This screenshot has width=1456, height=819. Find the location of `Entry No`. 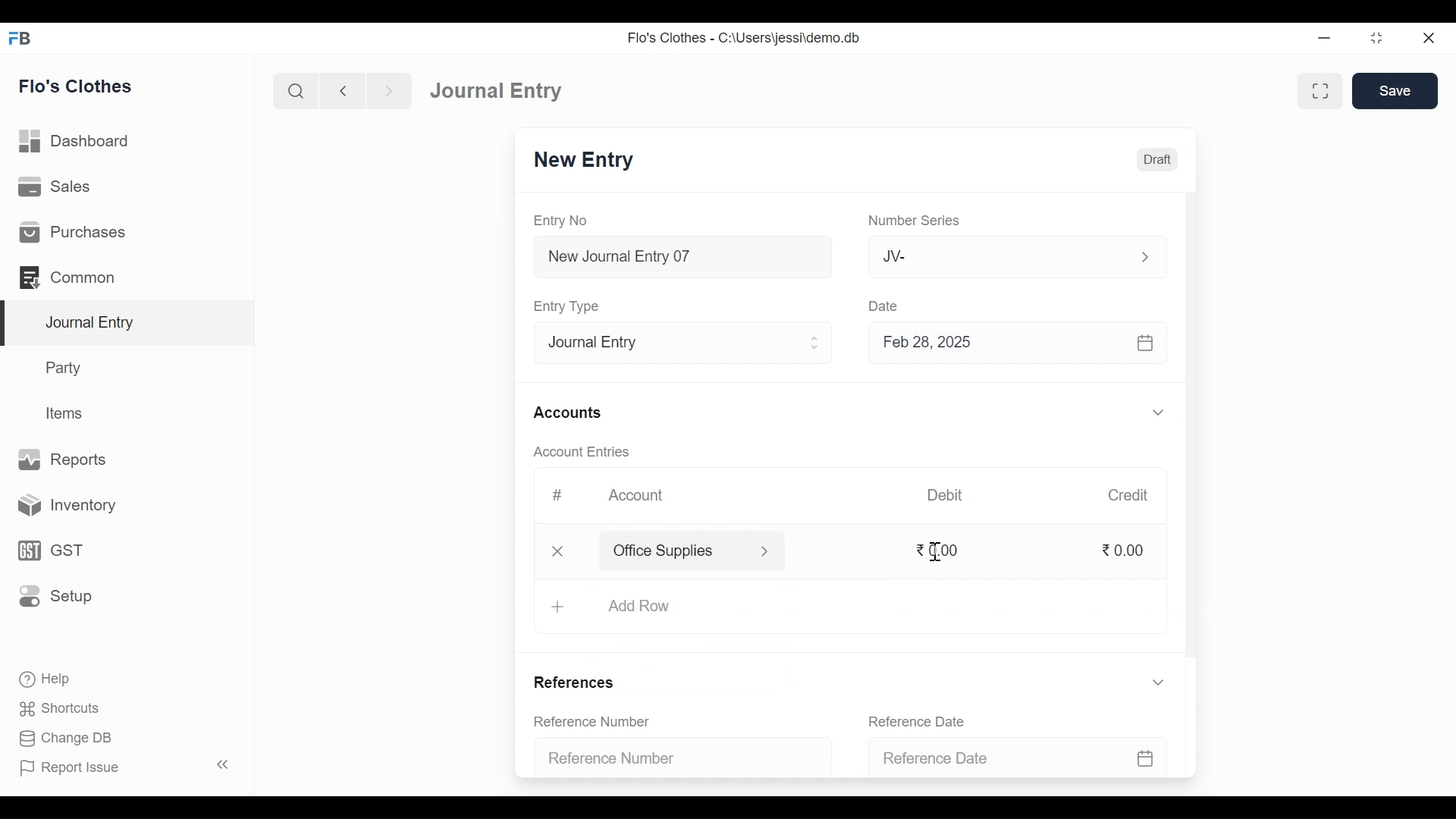

Entry No is located at coordinates (560, 220).